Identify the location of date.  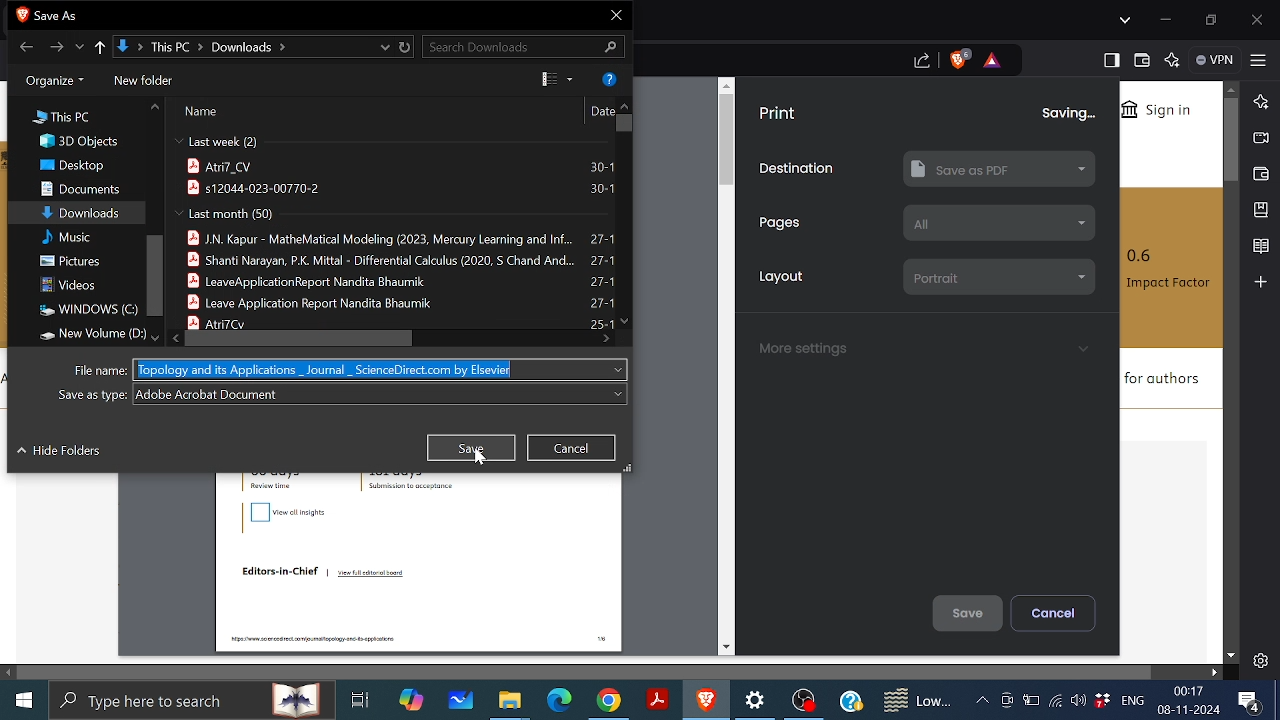
(603, 111).